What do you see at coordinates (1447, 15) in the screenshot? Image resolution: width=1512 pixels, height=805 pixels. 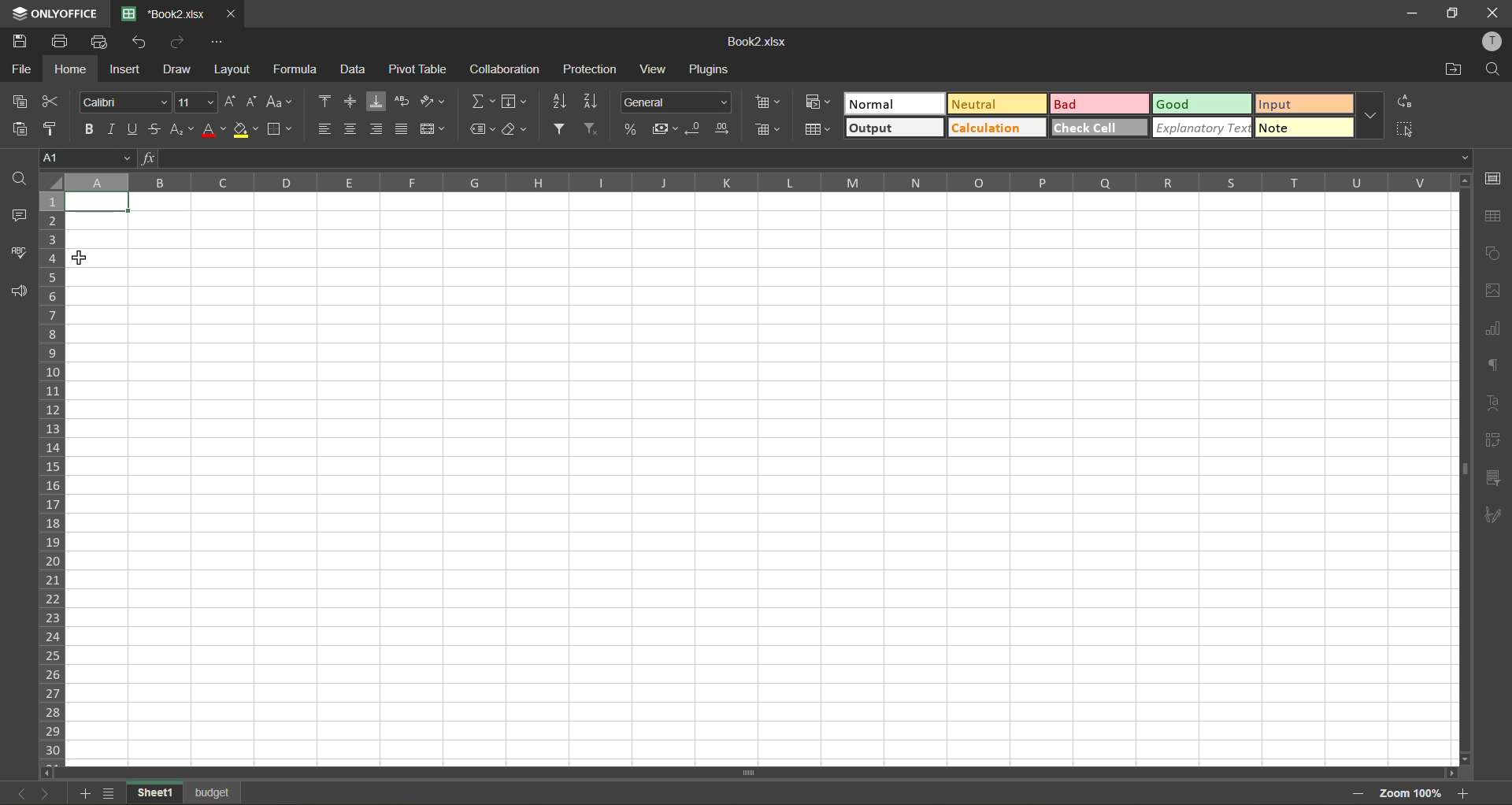 I see `maximize` at bounding box center [1447, 15].